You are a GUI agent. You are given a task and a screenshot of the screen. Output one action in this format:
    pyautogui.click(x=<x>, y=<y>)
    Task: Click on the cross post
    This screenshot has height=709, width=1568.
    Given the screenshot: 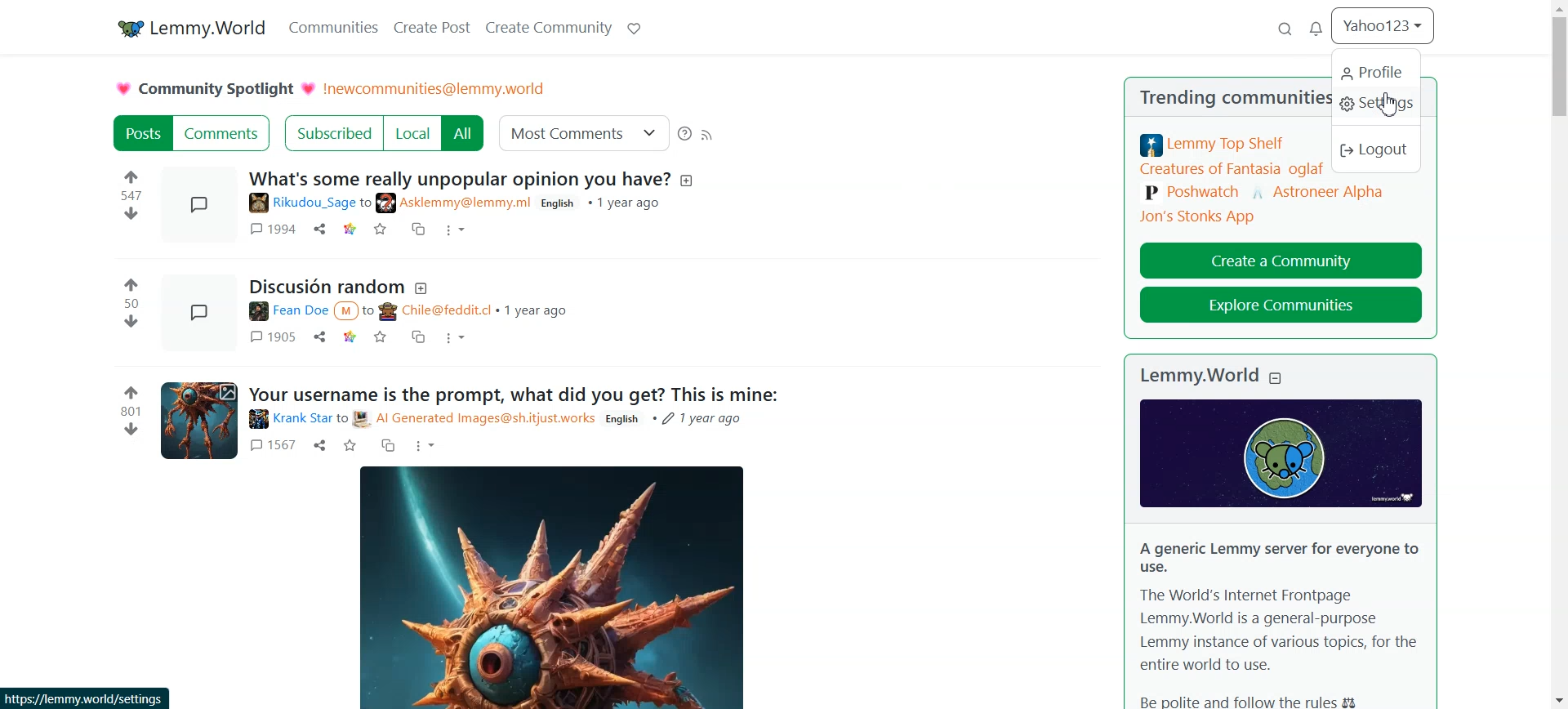 What is the action you would take?
    pyautogui.click(x=420, y=338)
    